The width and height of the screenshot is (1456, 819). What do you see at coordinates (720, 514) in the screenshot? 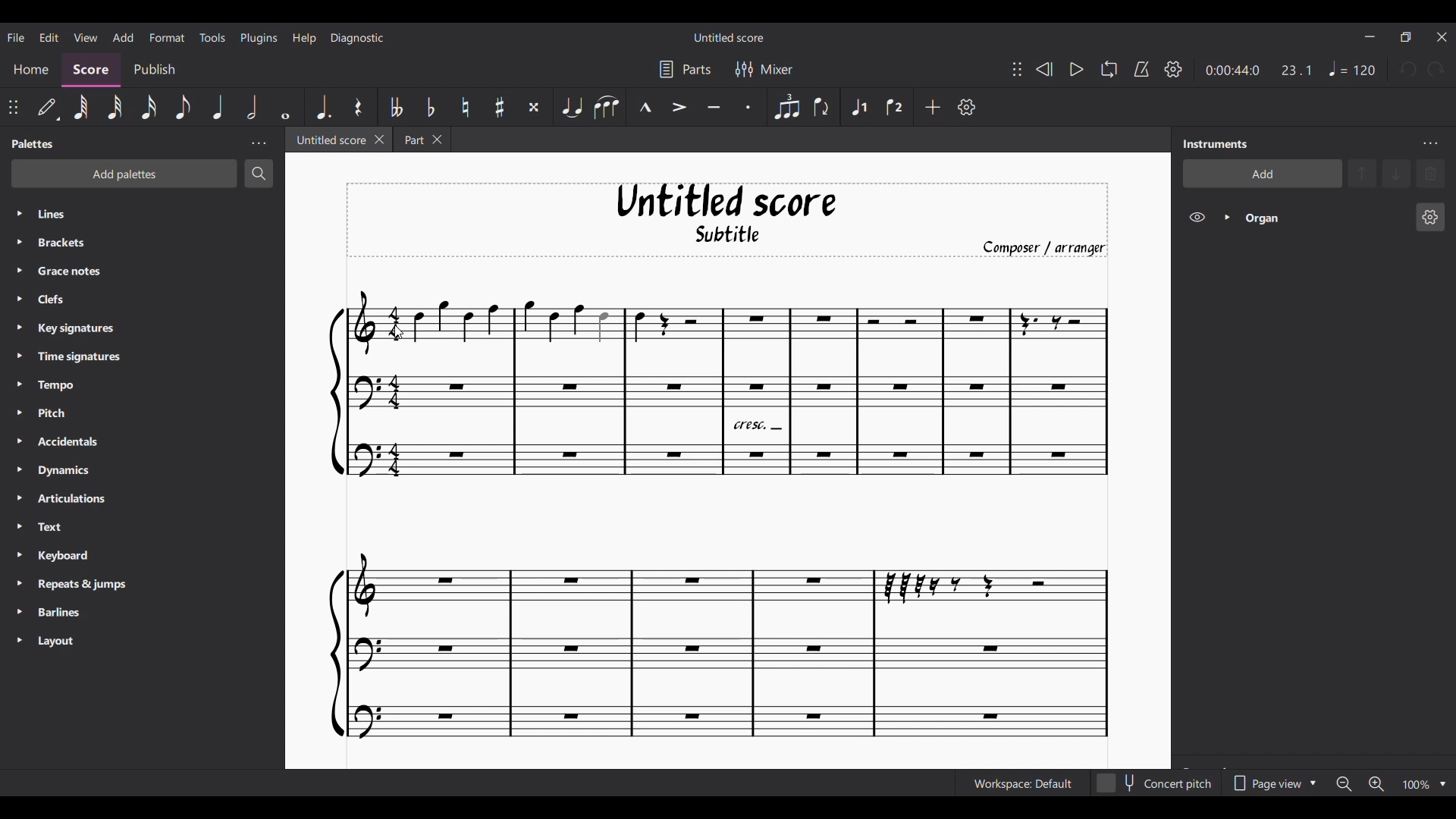
I see `Current score` at bounding box center [720, 514].